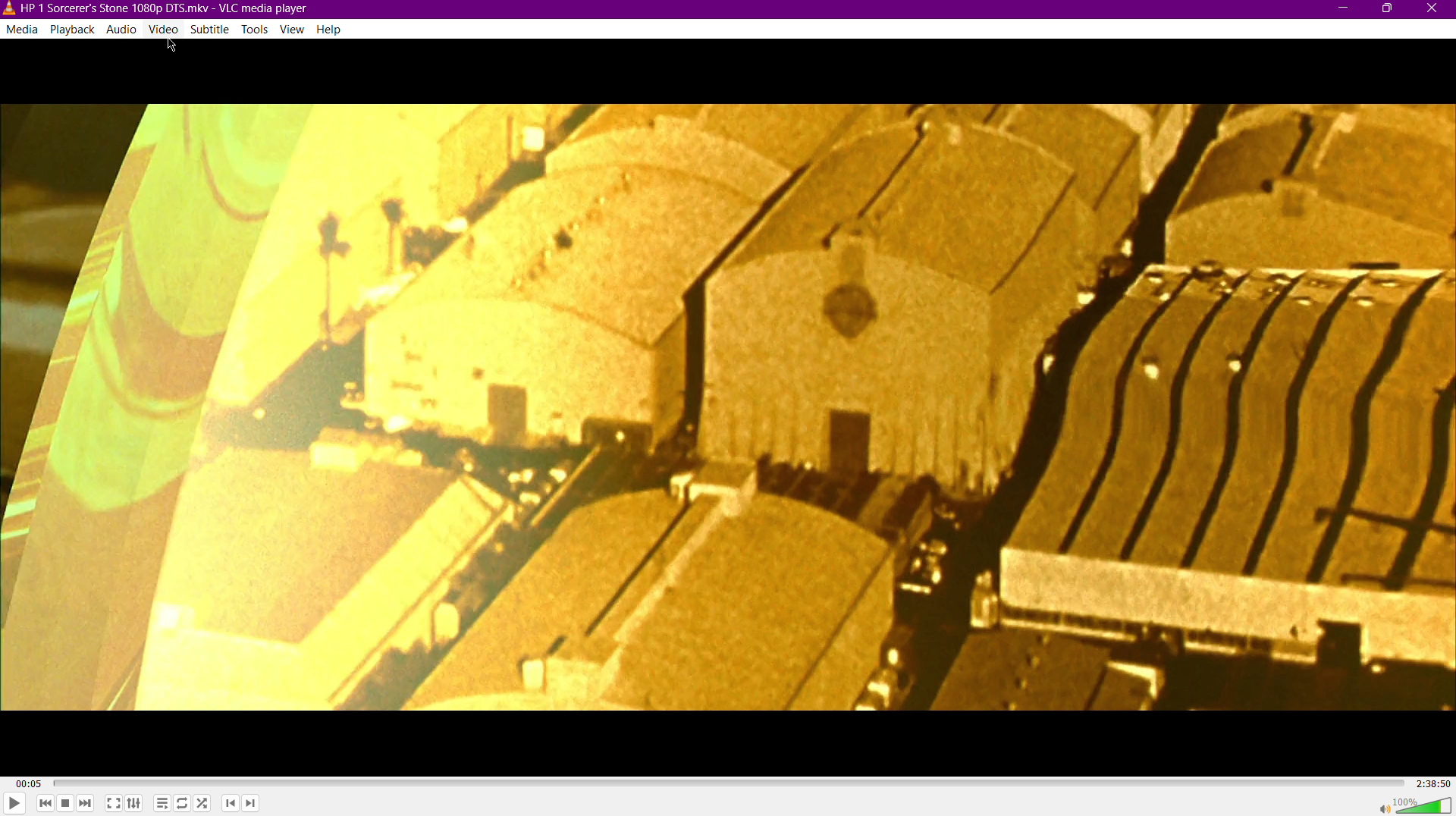  I want to click on Minimize, so click(1346, 9).